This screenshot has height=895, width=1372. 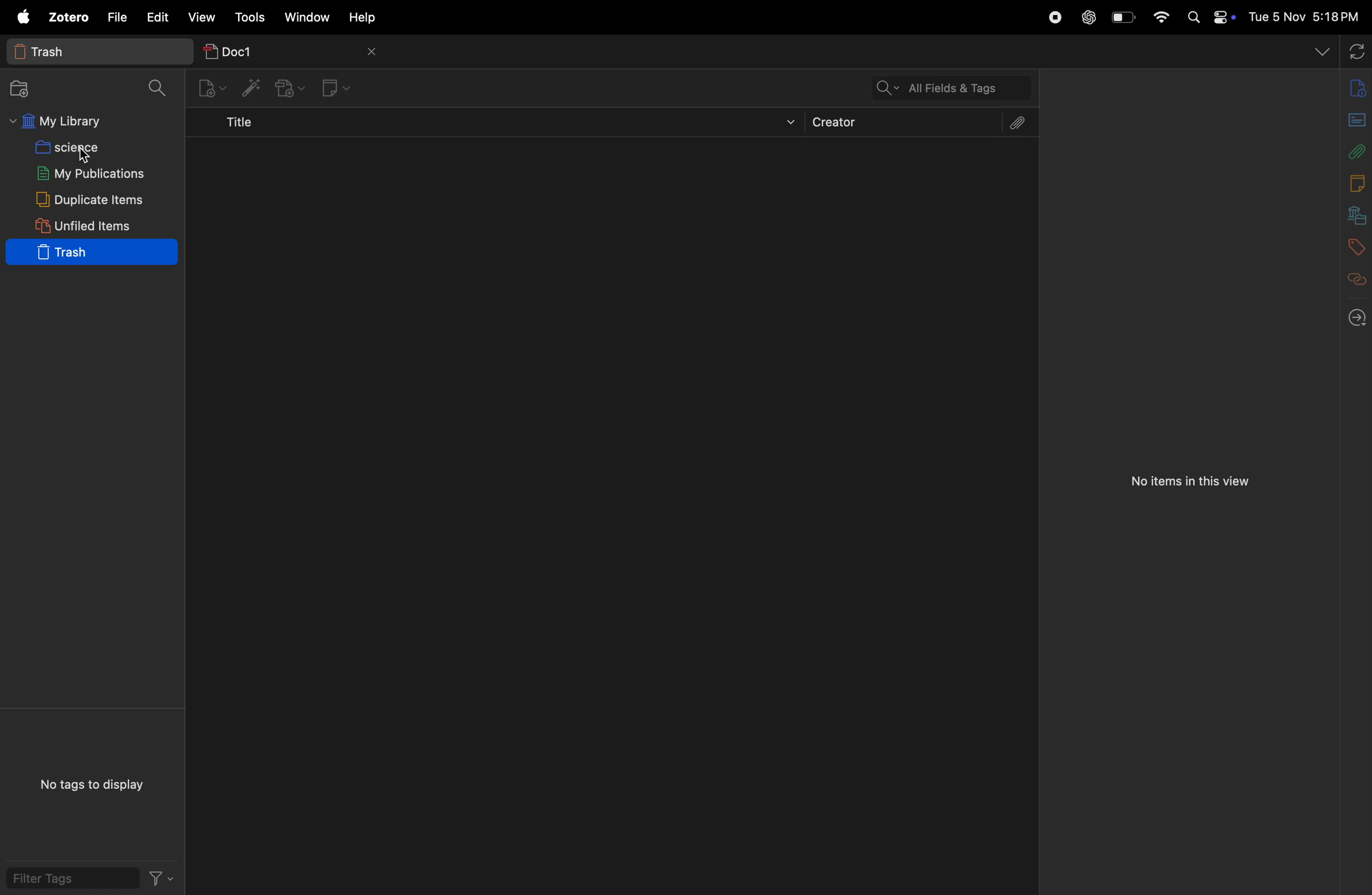 What do you see at coordinates (247, 87) in the screenshot?
I see `add items` at bounding box center [247, 87].